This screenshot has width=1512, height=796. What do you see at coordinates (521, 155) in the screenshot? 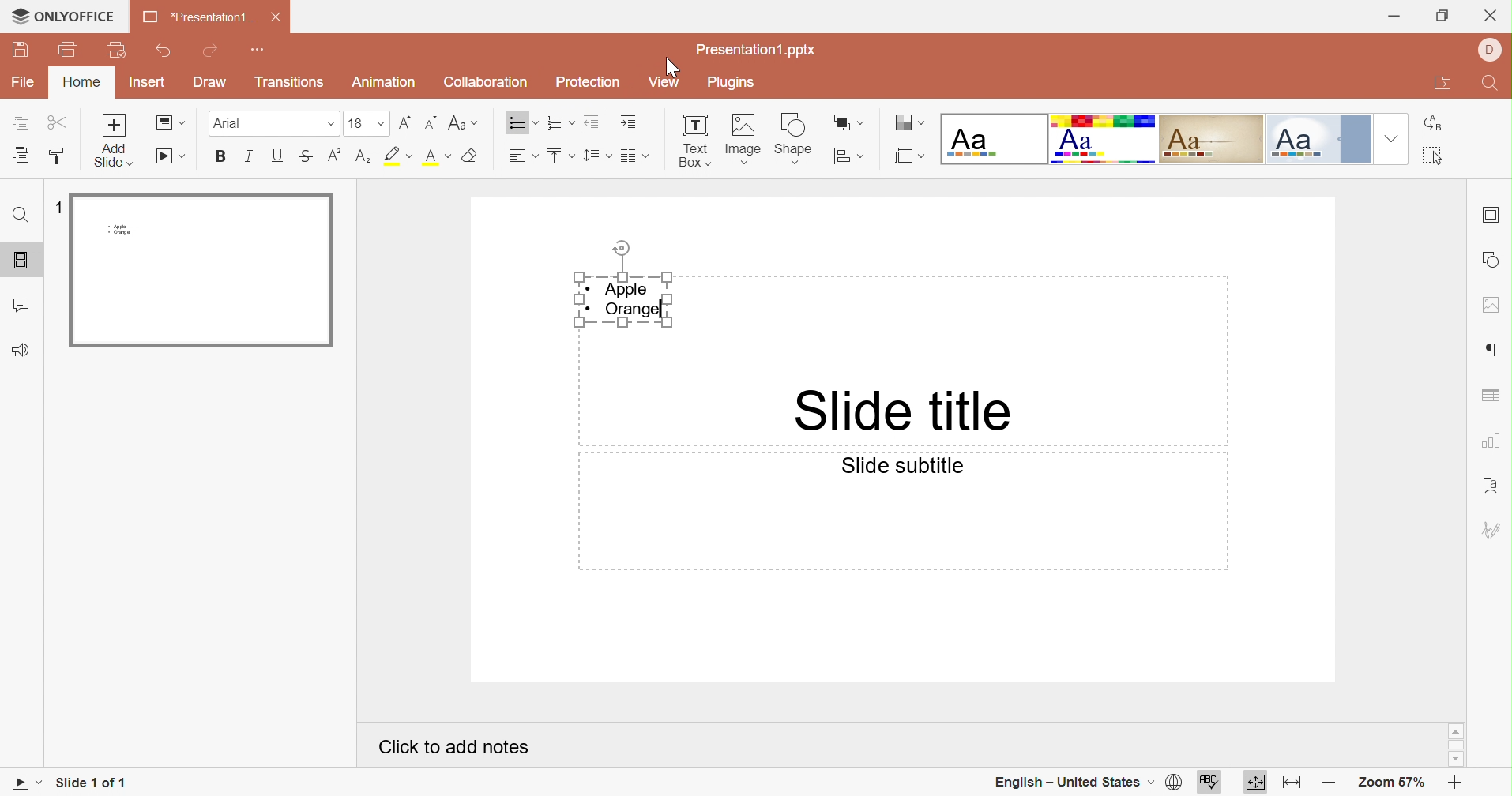
I see `Horizontal align` at bounding box center [521, 155].